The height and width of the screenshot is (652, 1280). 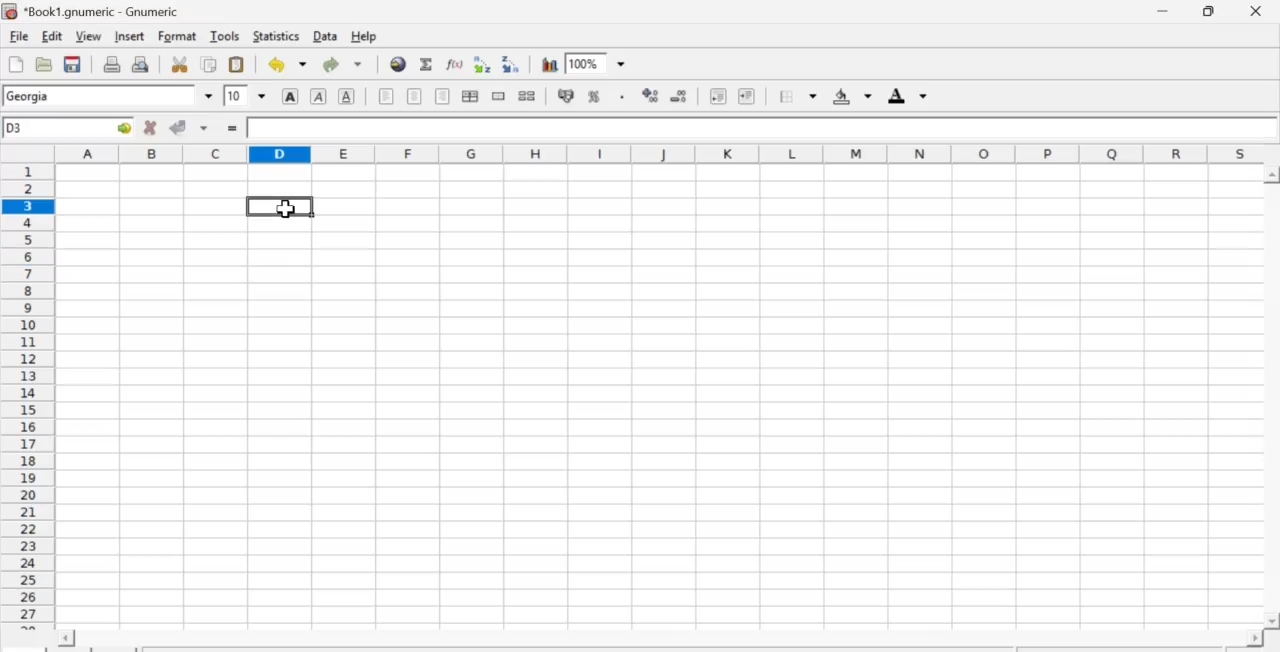 I want to click on Minimize/Maximize, so click(x=1210, y=12).